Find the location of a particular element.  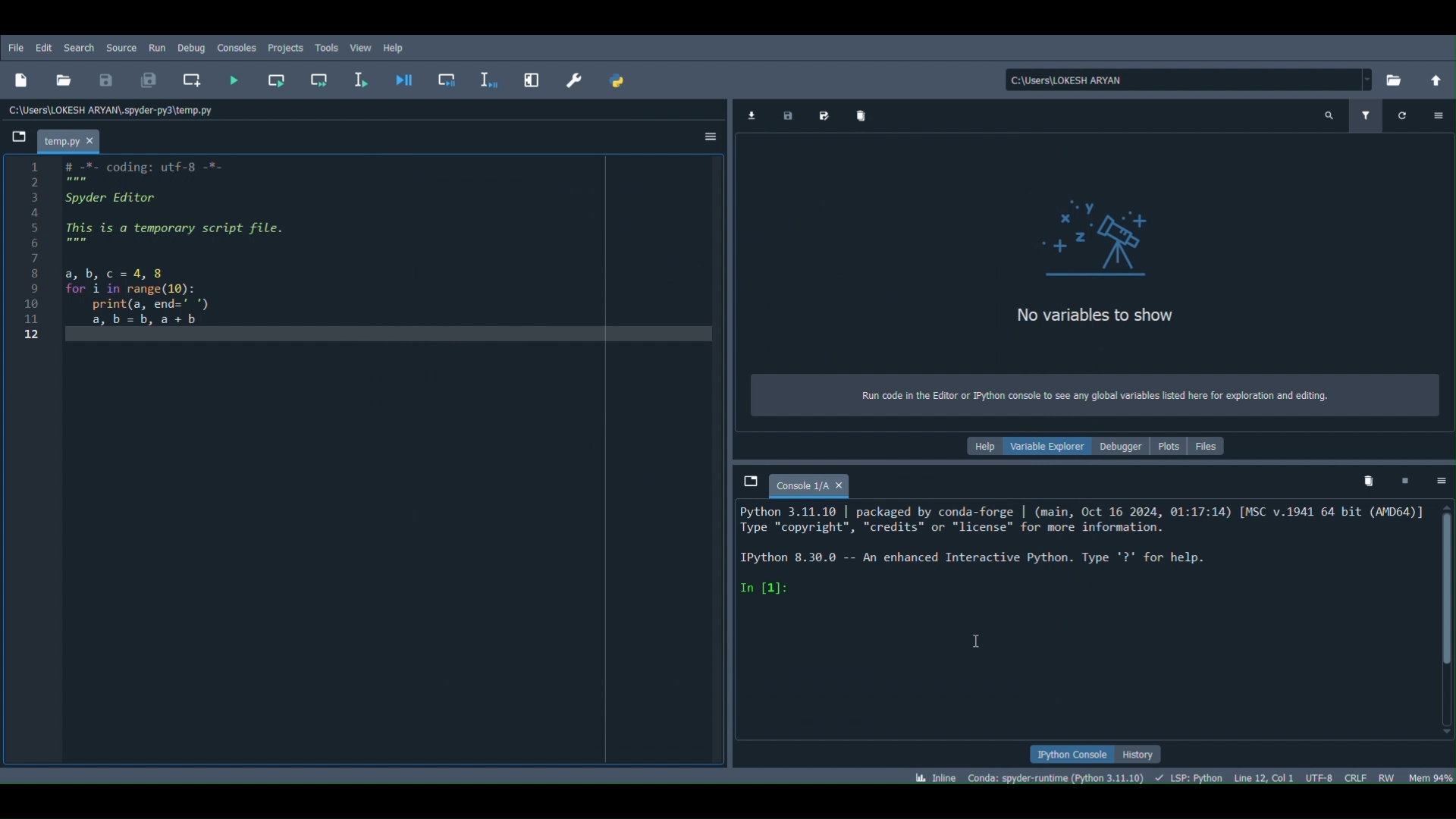

Options is located at coordinates (710, 136).